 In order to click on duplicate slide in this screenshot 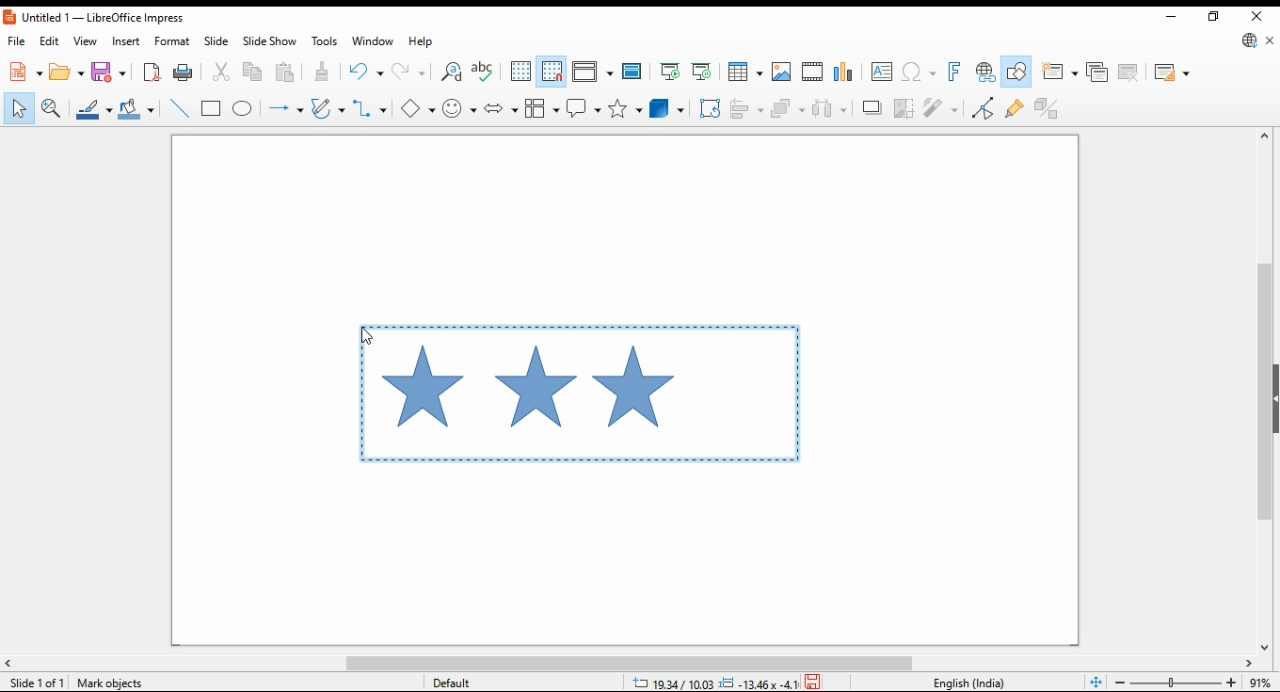, I will do `click(1098, 72)`.